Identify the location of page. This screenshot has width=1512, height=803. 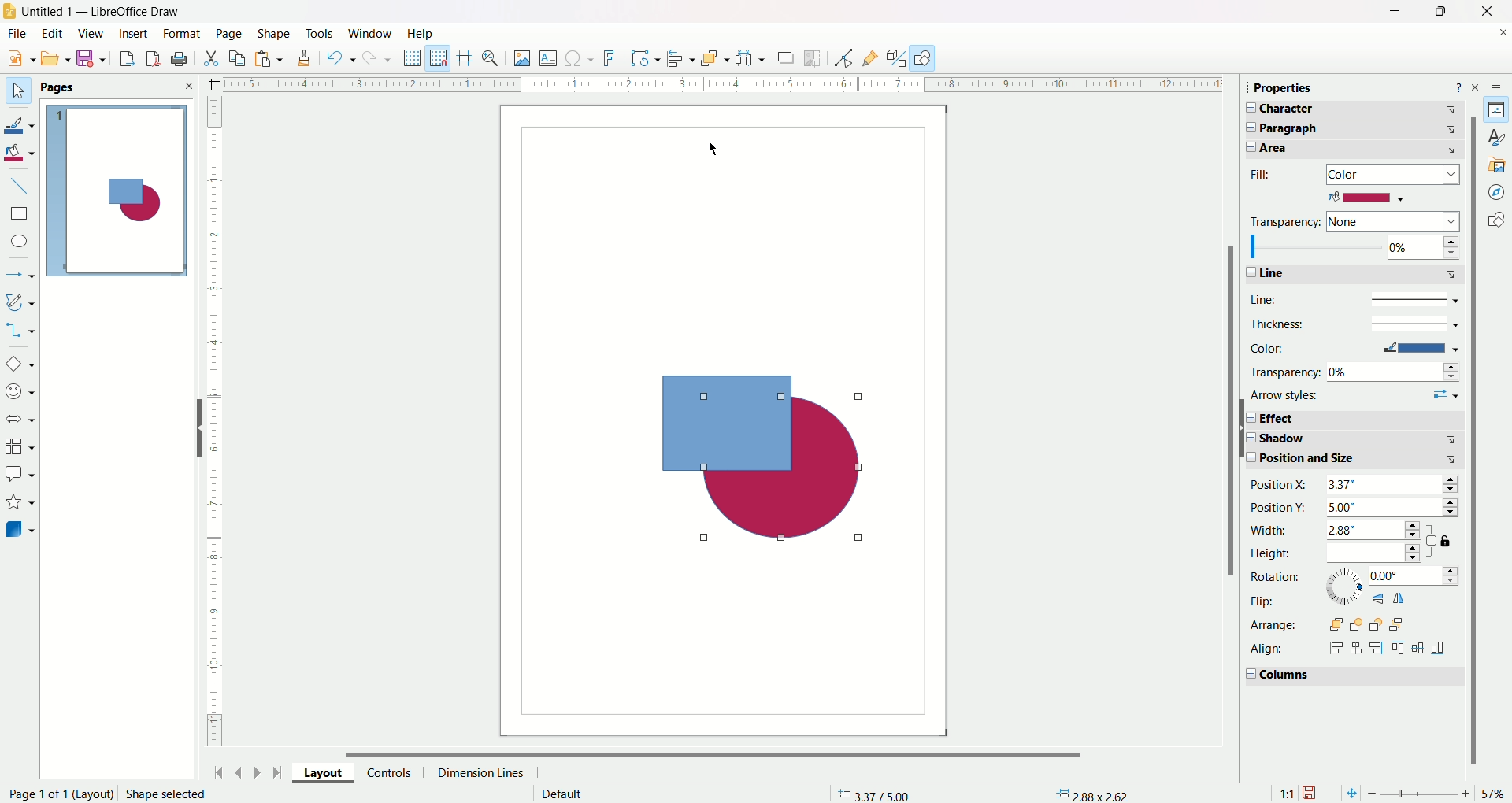
(228, 33).